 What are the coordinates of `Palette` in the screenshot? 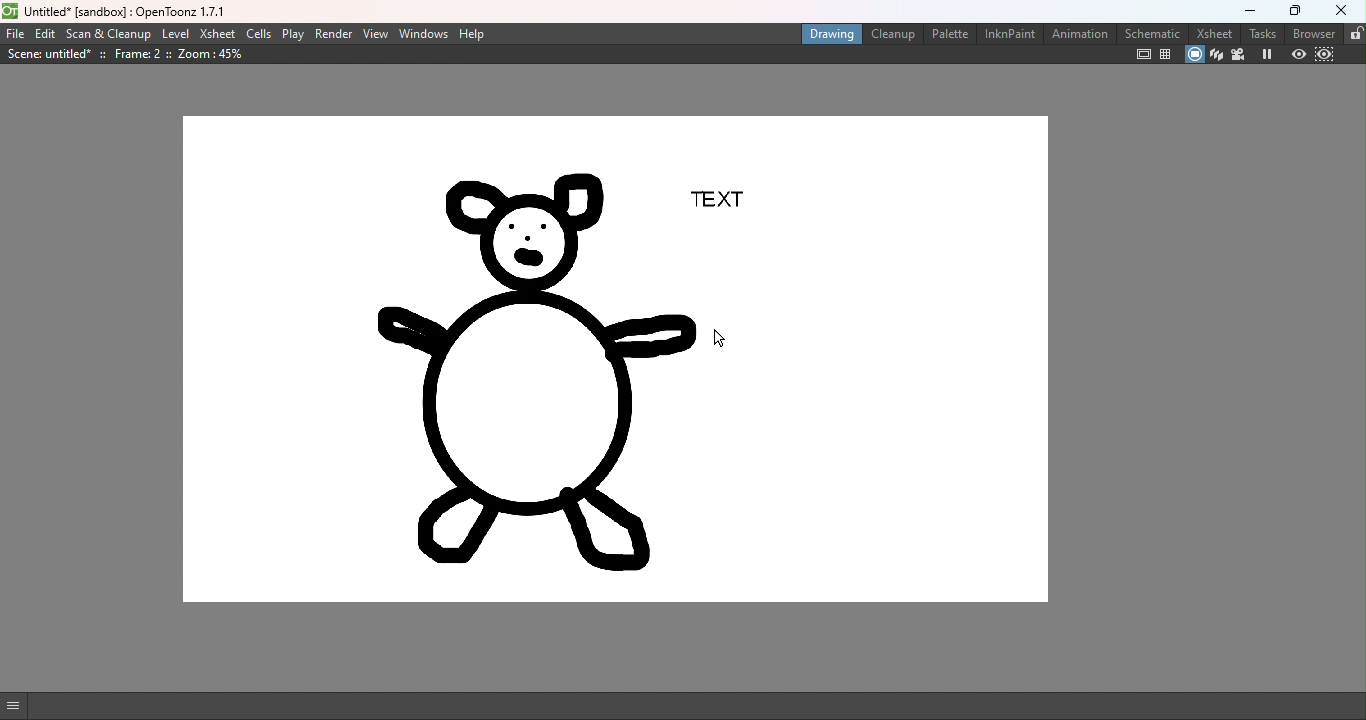 It's located at (949, 35).